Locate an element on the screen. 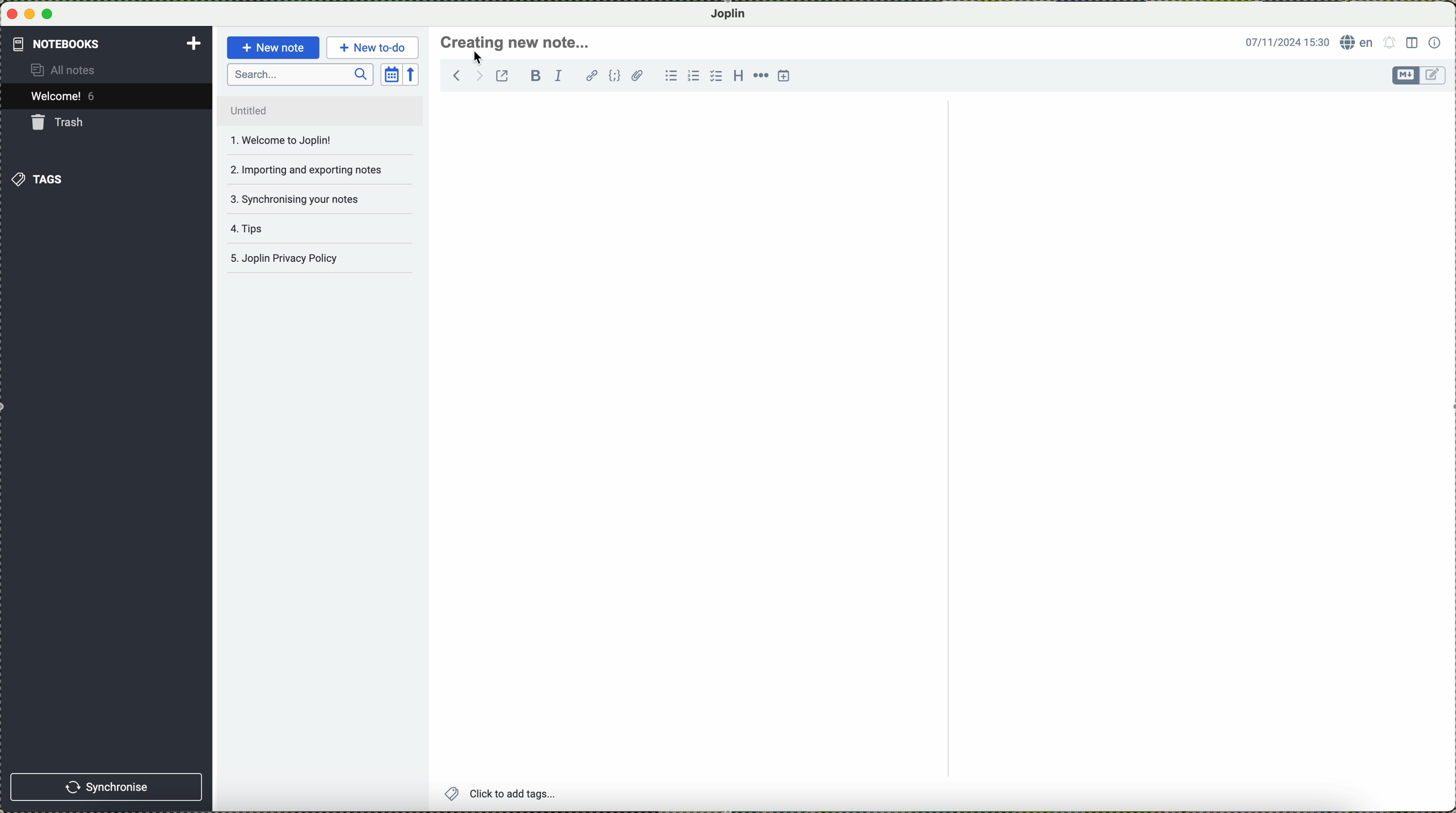  new note button is located at coordinates (271, 47).